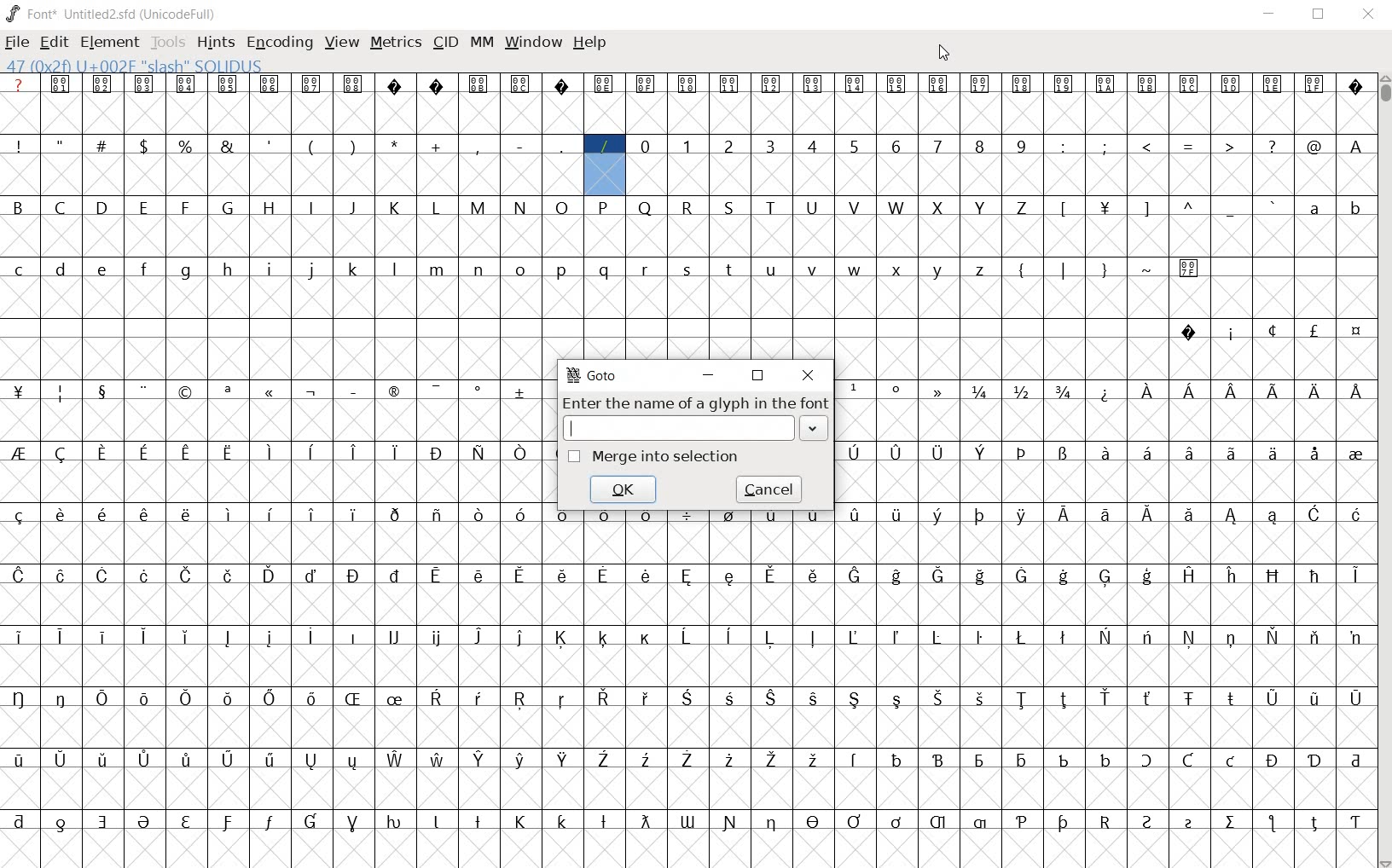 This screenshot has width=1392, height=868. I want to click on glyph, so click(228, 84).